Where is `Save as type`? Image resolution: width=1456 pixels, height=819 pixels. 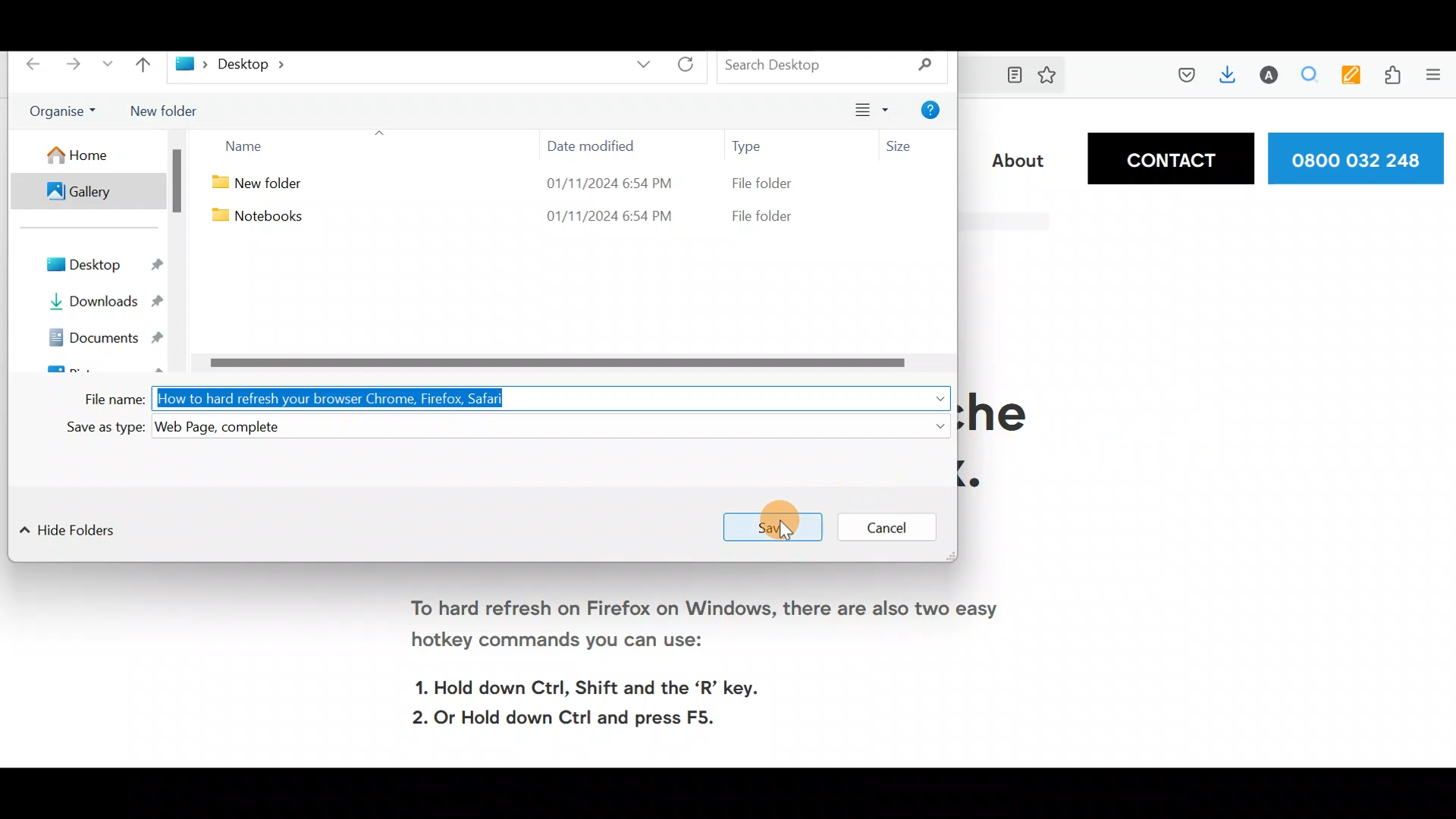 Save as type is located at coordinates (102, 431).